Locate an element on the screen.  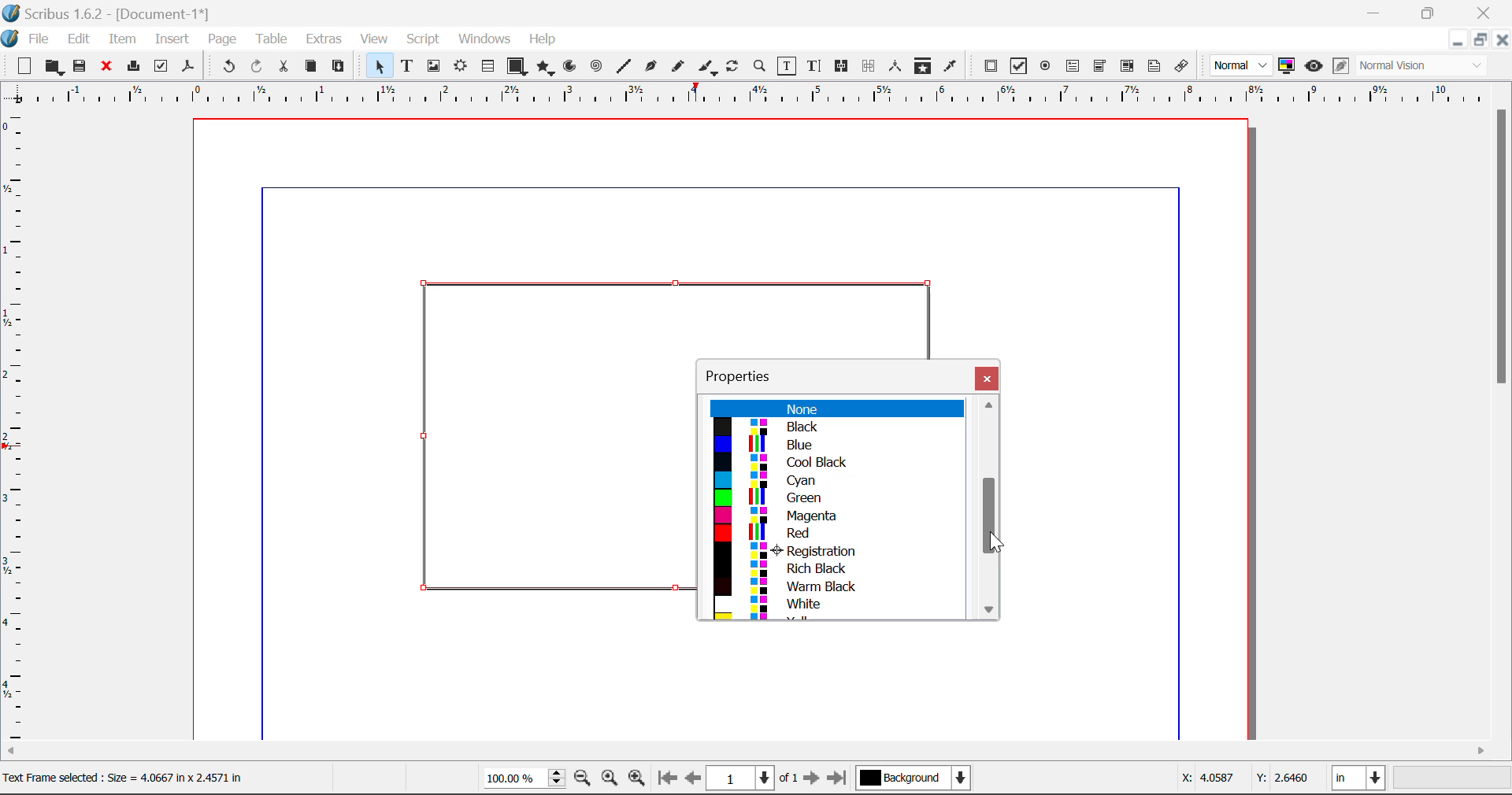
Zoom 100% is located at coordinates (524, 779).